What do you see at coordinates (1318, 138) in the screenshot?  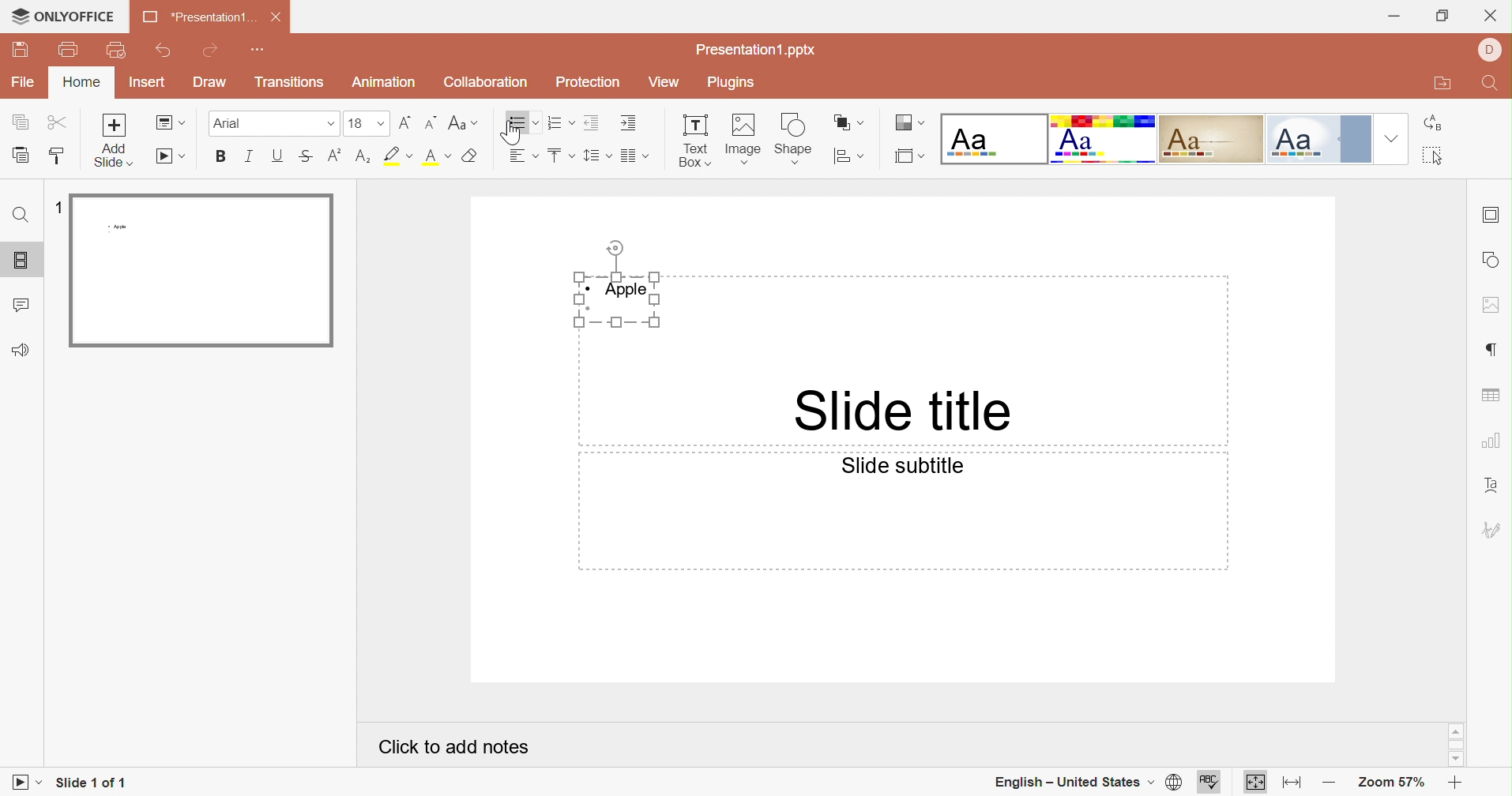 I see `Official` at bounding box center [1318, 138].